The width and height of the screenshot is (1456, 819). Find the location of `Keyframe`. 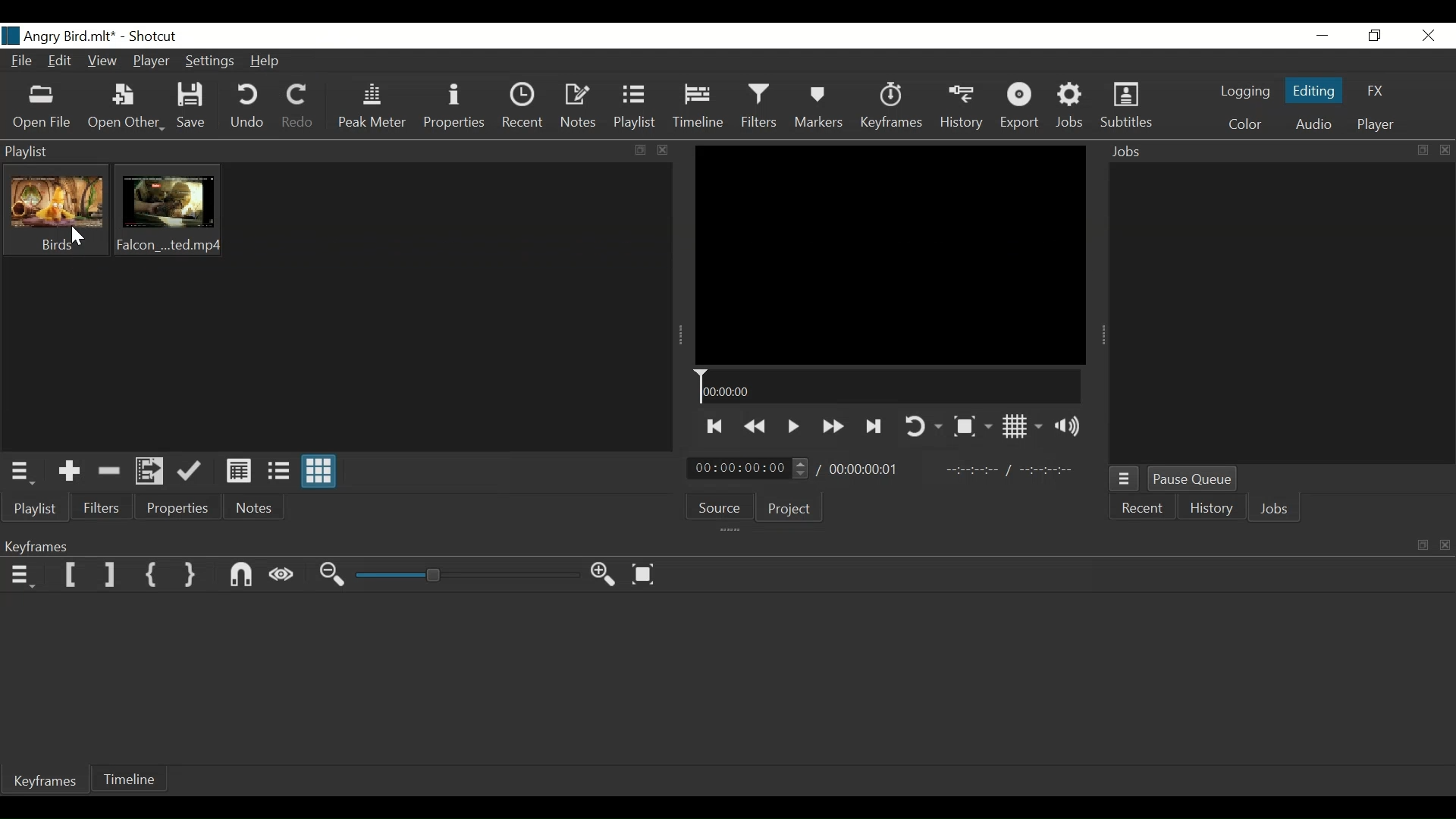

Keyframe is located at coordinates (893, 108).